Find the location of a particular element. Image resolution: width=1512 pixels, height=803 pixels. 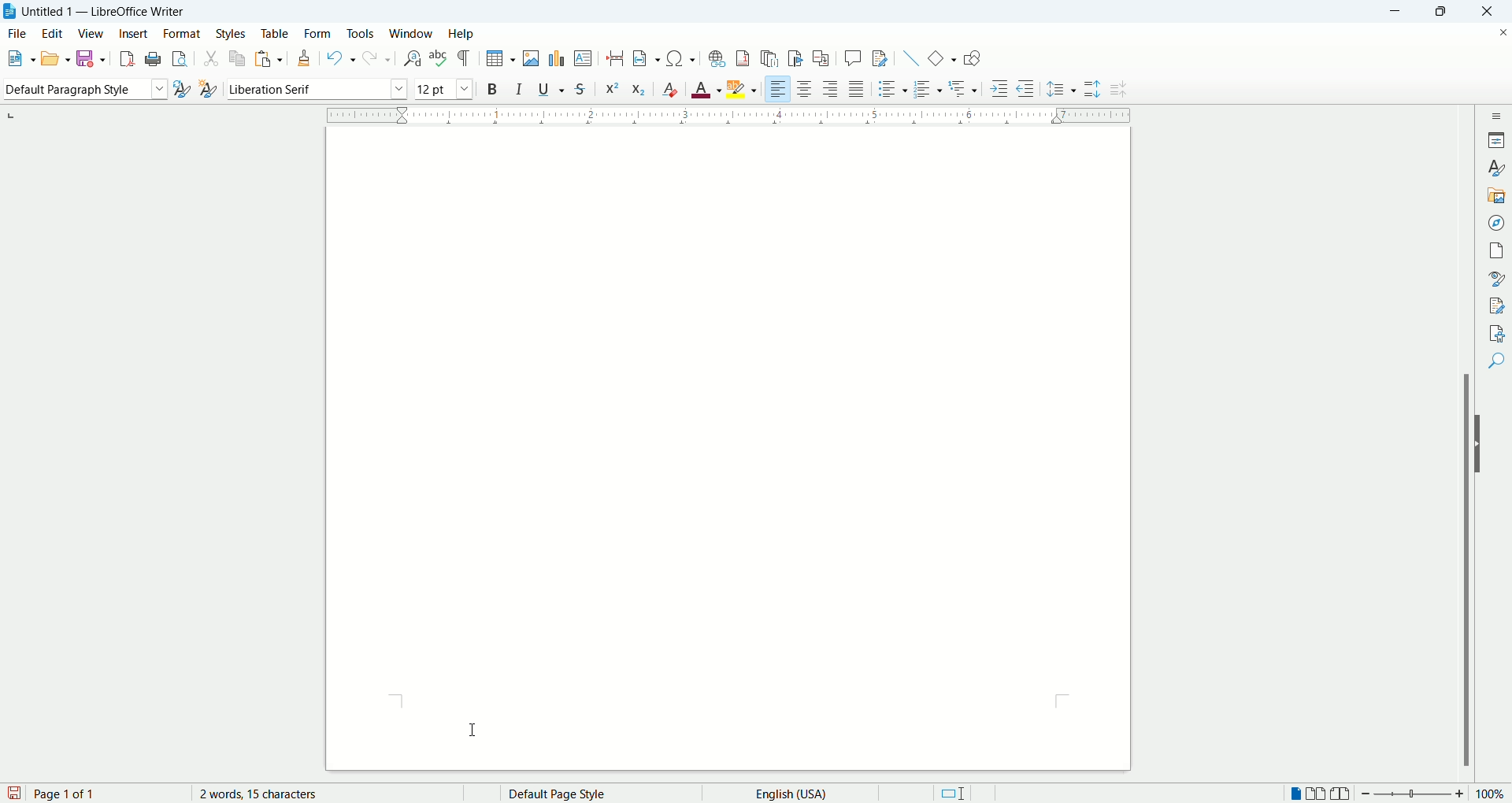

properties is located at coordinates (1498, 139).